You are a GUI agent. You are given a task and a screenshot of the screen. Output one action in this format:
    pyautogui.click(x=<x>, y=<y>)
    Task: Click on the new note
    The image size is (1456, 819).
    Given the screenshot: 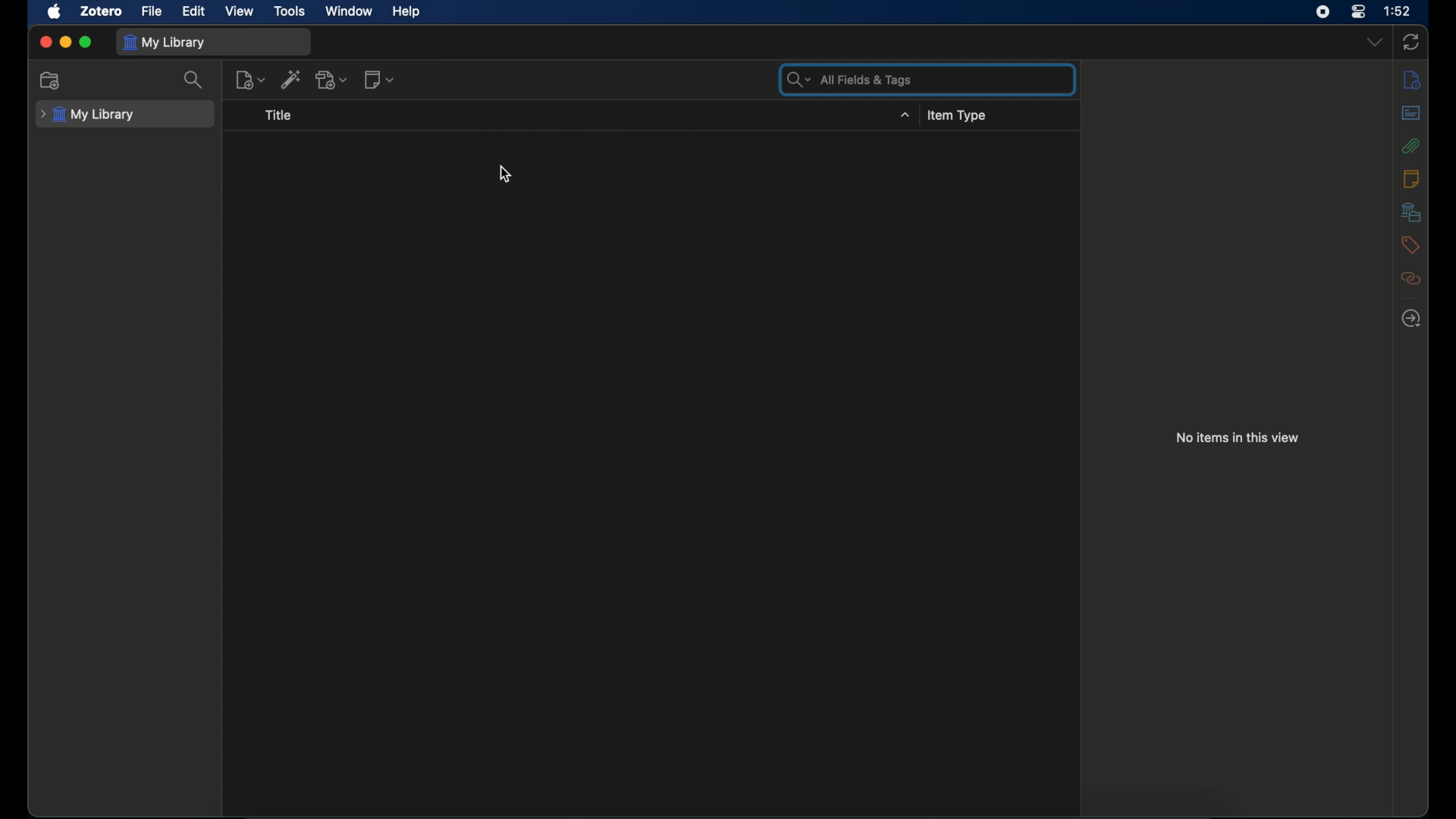 What is the action you would take?
    pyautogui.click(x=381, y=80)
    